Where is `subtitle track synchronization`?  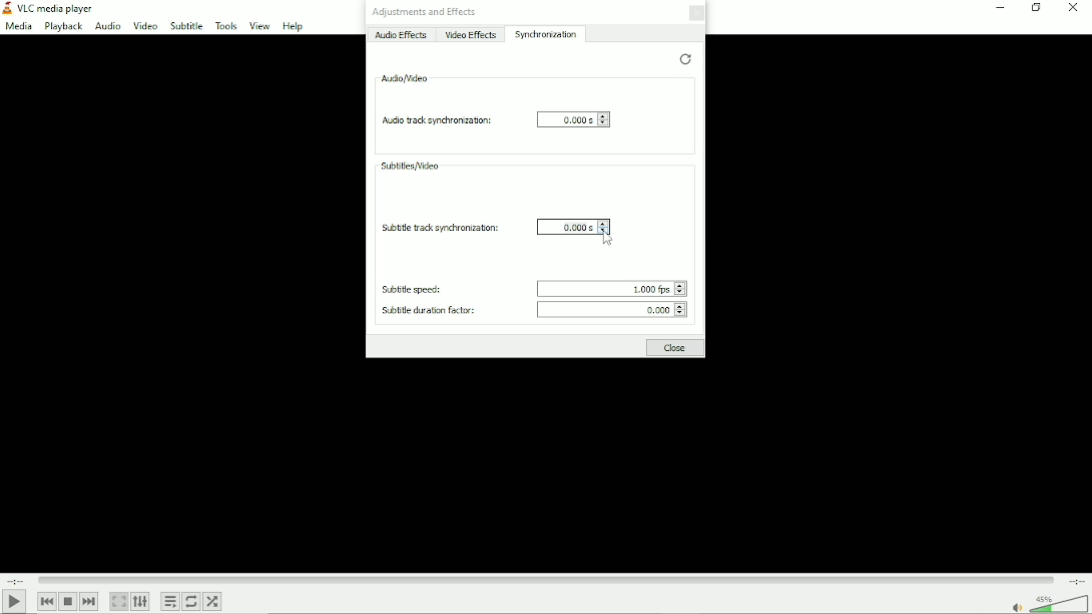
subtitle track synchronization is located at coordinates (437, 227).